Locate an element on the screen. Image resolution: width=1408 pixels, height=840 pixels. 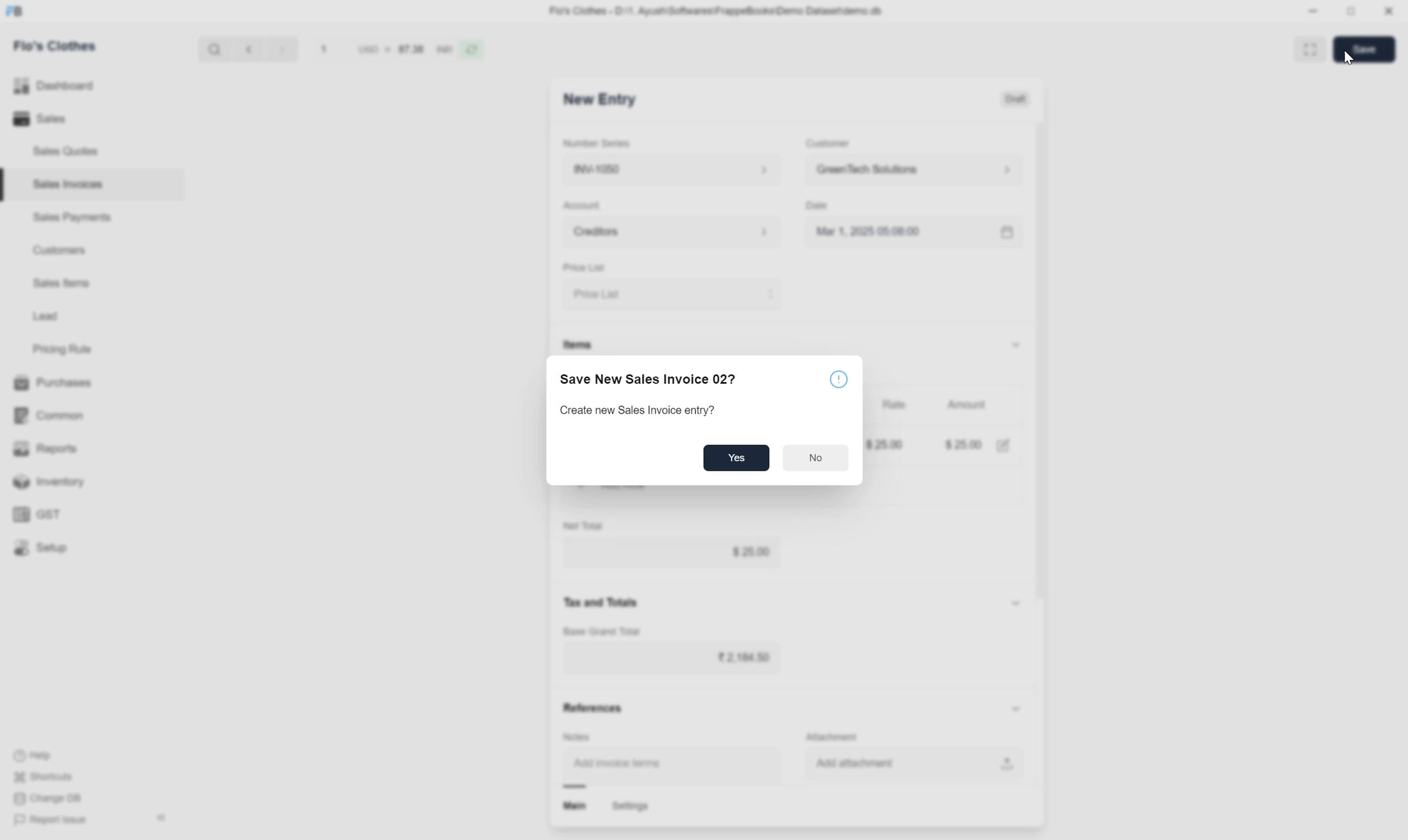
Sales  is located at coordinates (64, 119).